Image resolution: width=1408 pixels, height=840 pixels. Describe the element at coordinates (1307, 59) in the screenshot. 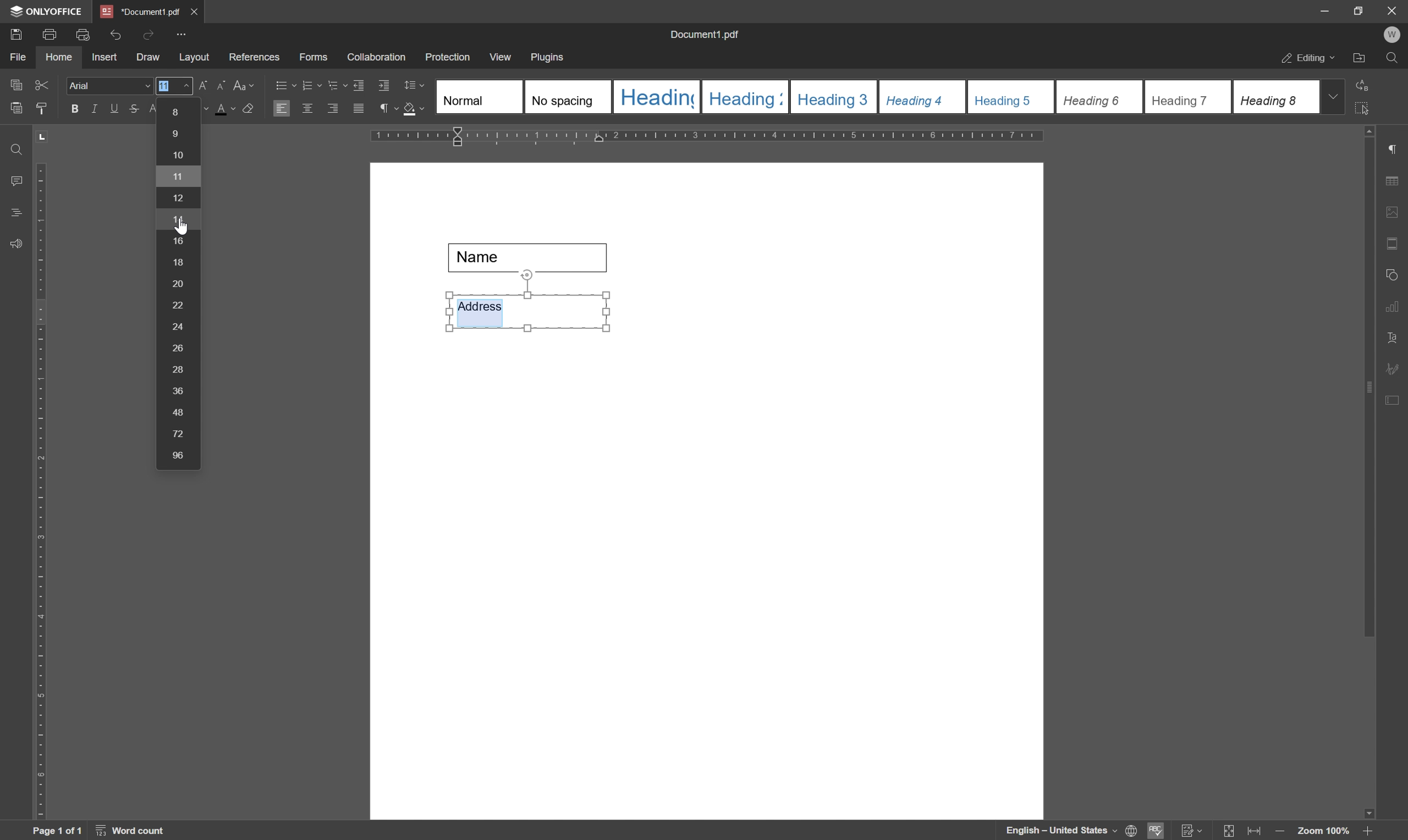

I see `editing` at that location.